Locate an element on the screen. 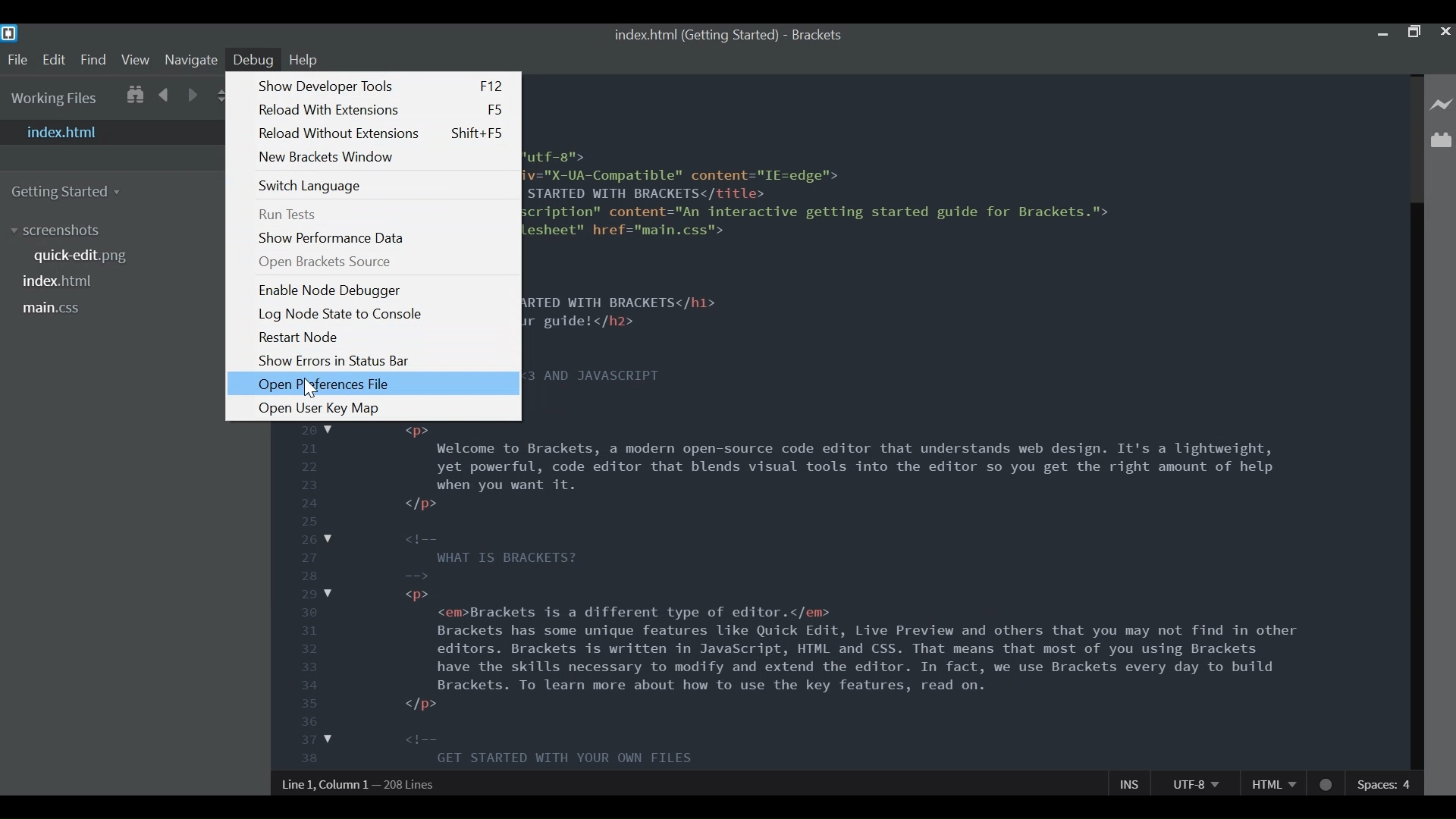 The height and width of the screenshot is (819, 1456). Show Performance Data is located at coordinates (335, 238).